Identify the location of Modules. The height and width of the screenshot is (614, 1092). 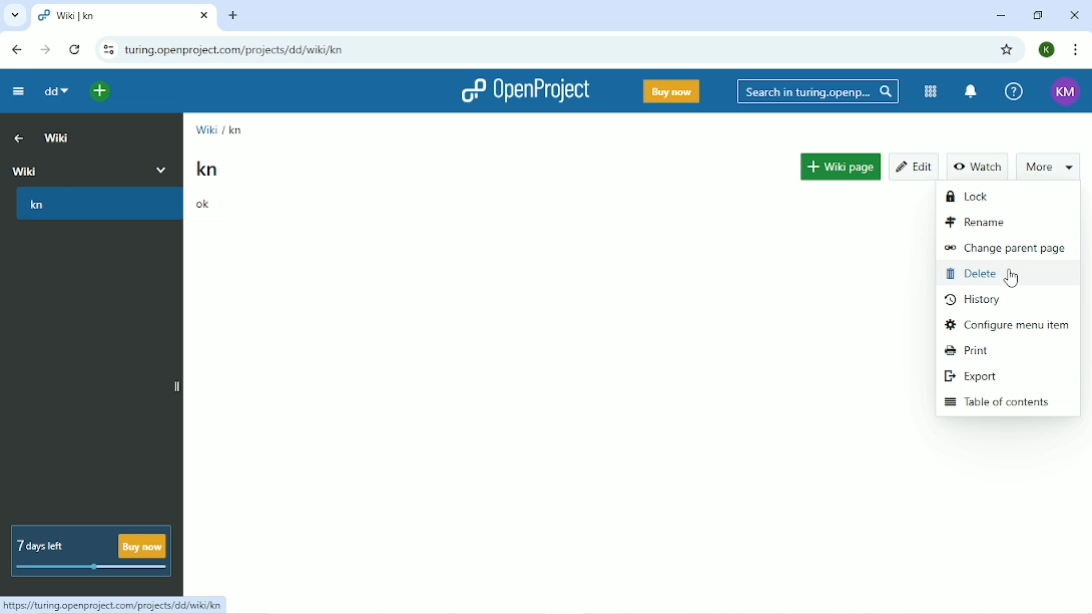
(930, 91).